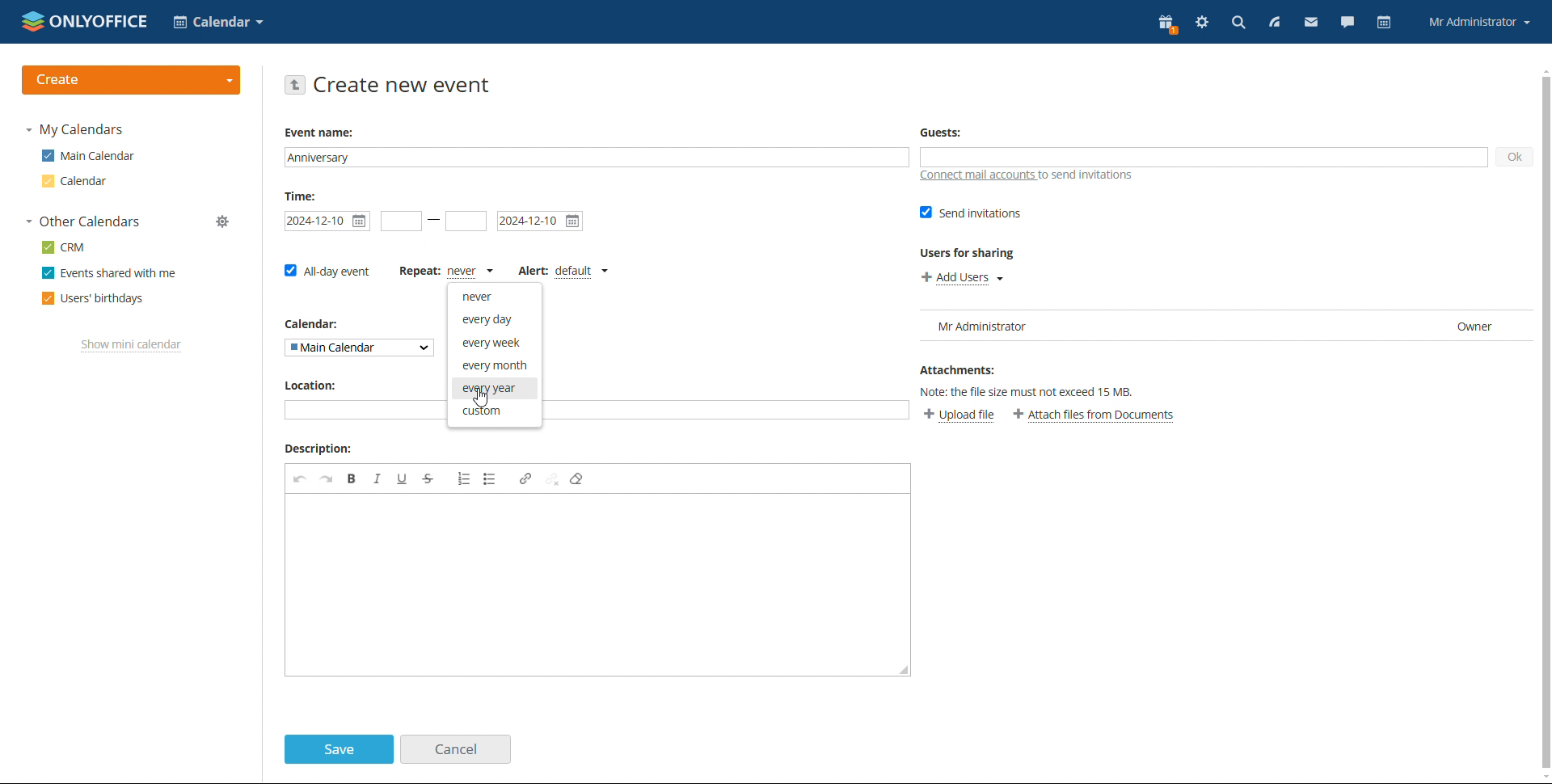 This screenshot has height=784, width=1552. What do you see at coordinates (963, 277) in the screenshot?
I see `add users` at bounding box center [963, 277].